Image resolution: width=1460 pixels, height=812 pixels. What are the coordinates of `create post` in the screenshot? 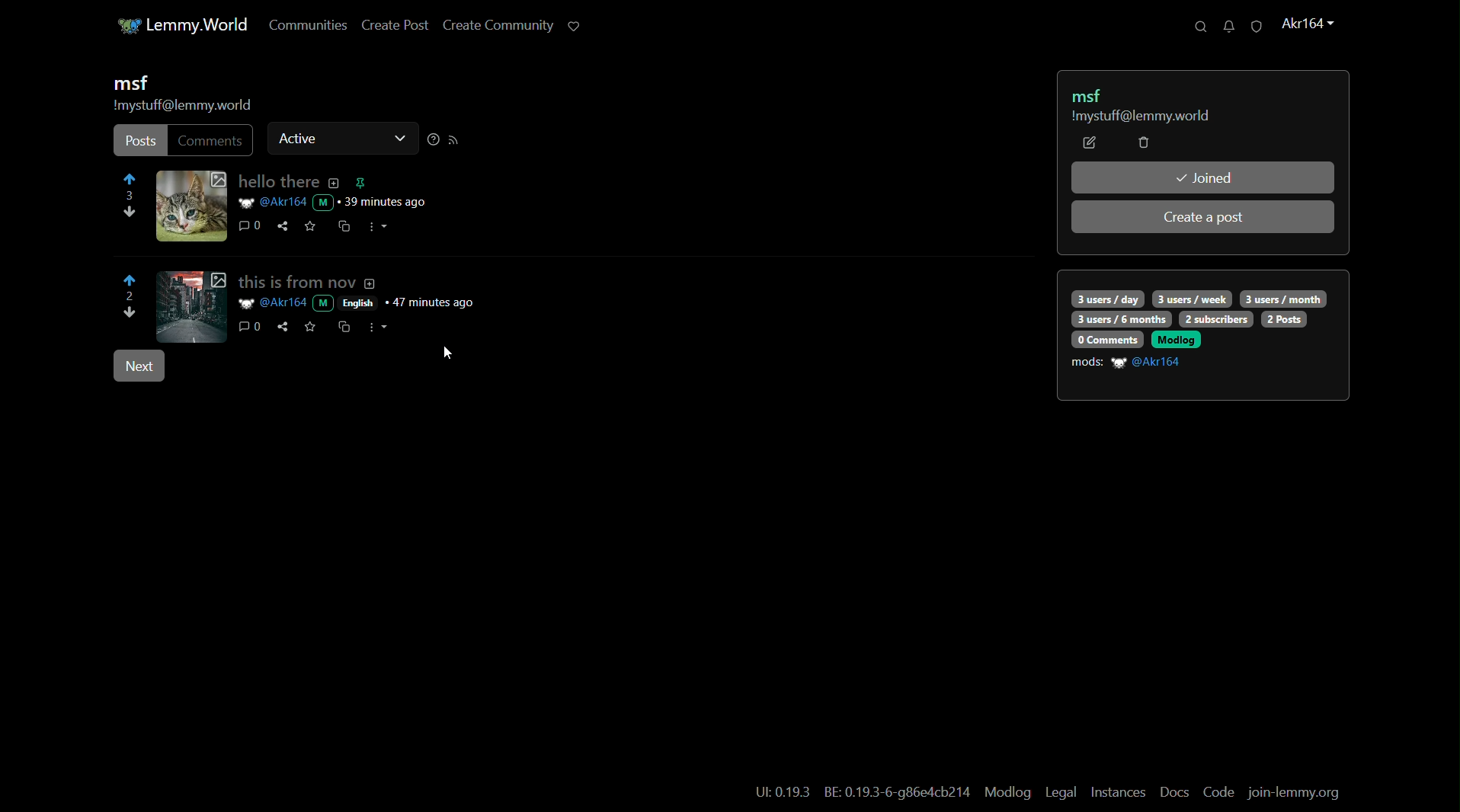 It's located at (389, 27).